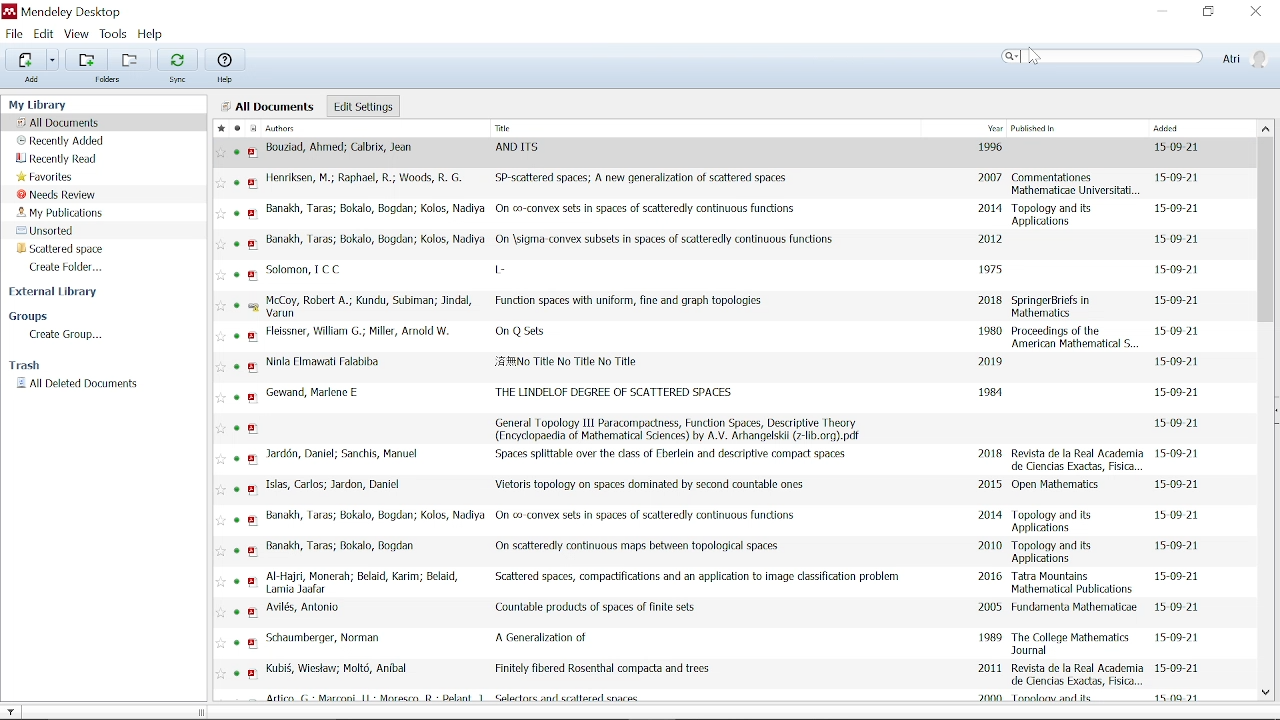  What do you see at coordinates (221, 183) in the screenshot?
I see `Add to favorite` at bounding box center [221, 183].